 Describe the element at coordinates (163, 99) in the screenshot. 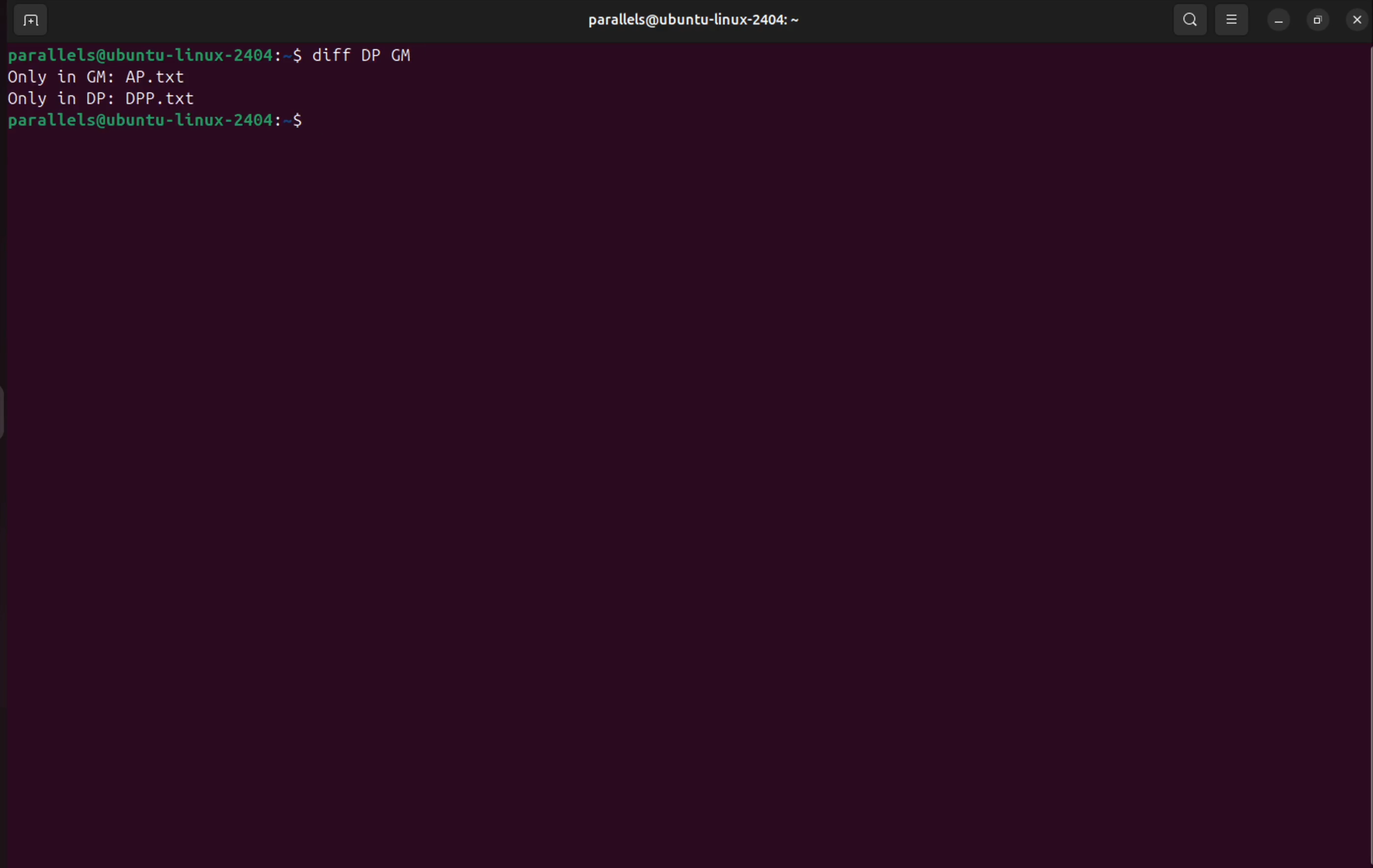

I see `Dpp.txt` at that location.